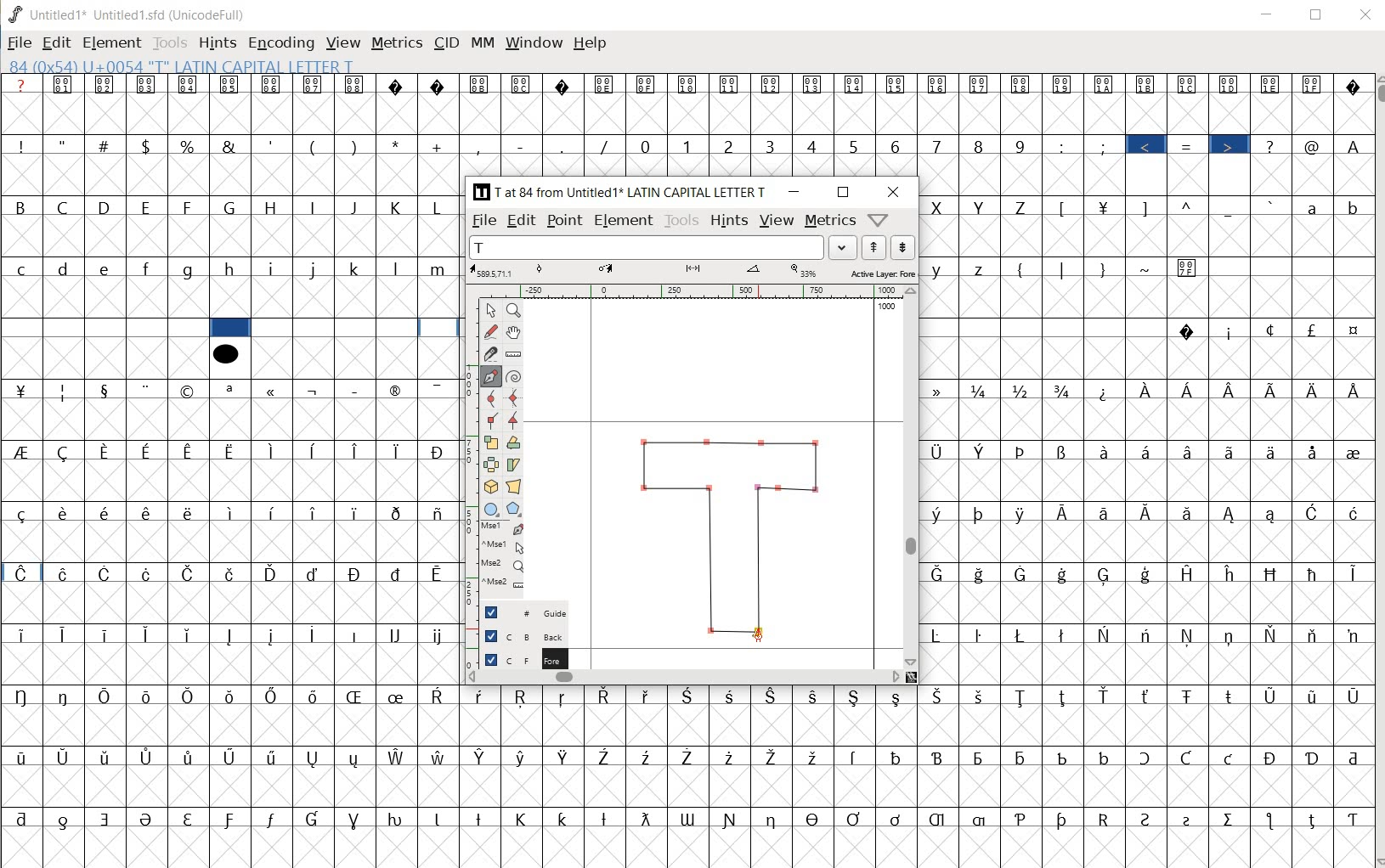 This screenshot has width=1385, height=868. I want to click on Symbol, so click(939, 573).